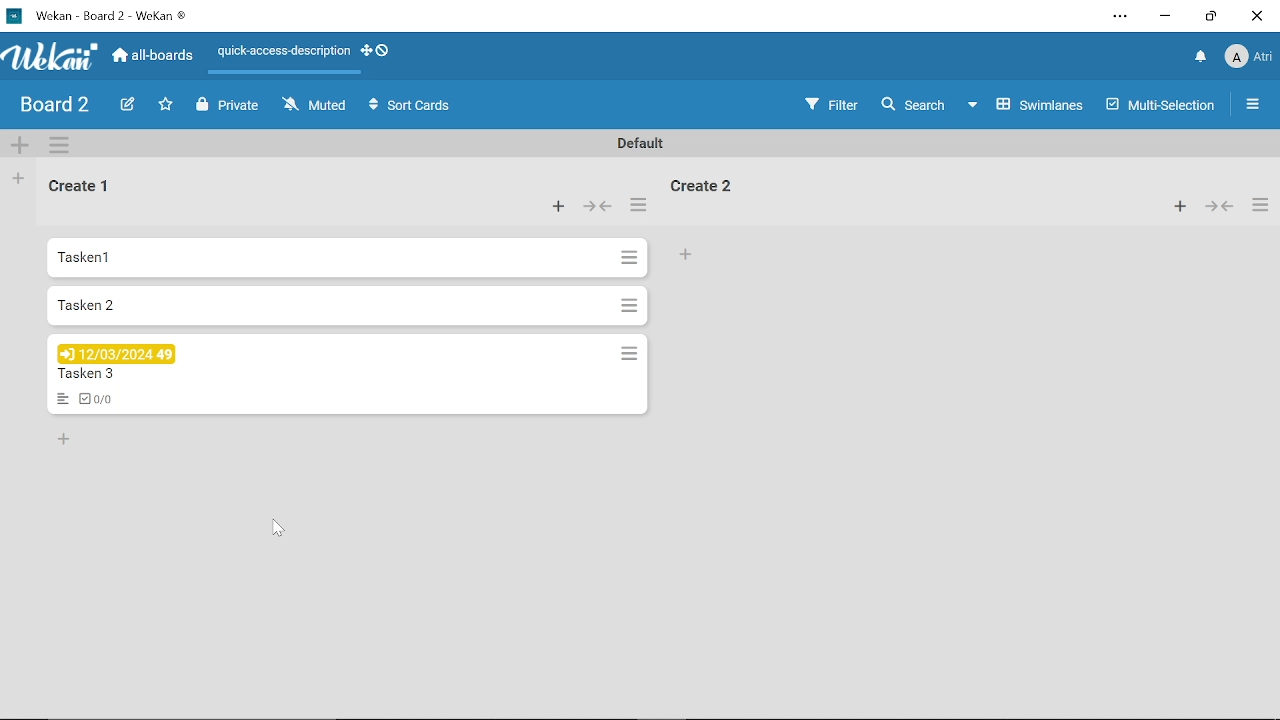  I want to click on Logo, so click(49, 58).